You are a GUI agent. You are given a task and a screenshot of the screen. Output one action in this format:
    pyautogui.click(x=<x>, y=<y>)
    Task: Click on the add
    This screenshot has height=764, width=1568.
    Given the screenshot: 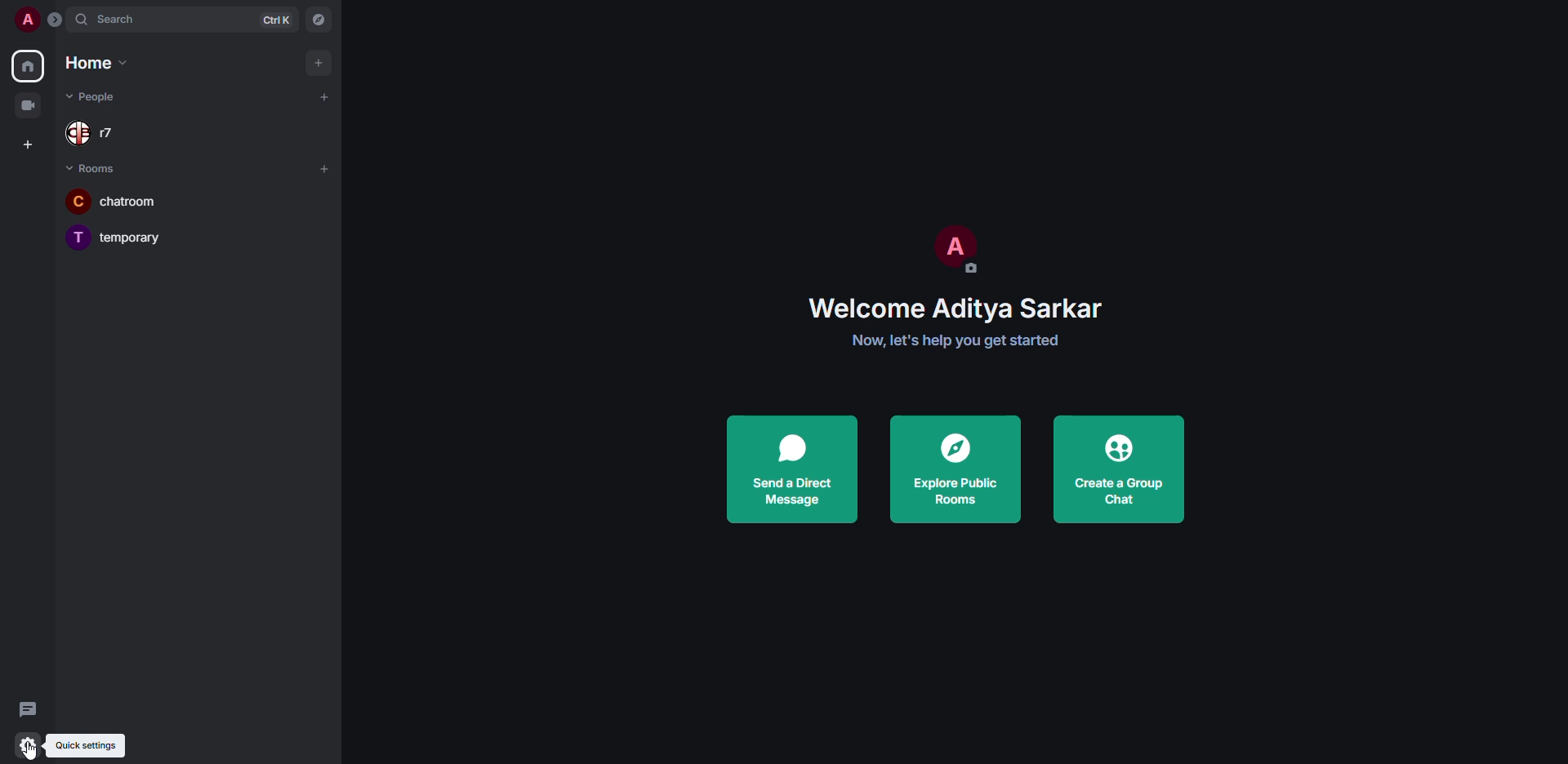 What is the action you would take?
    pyautogui.click(x=324, y=96)
    